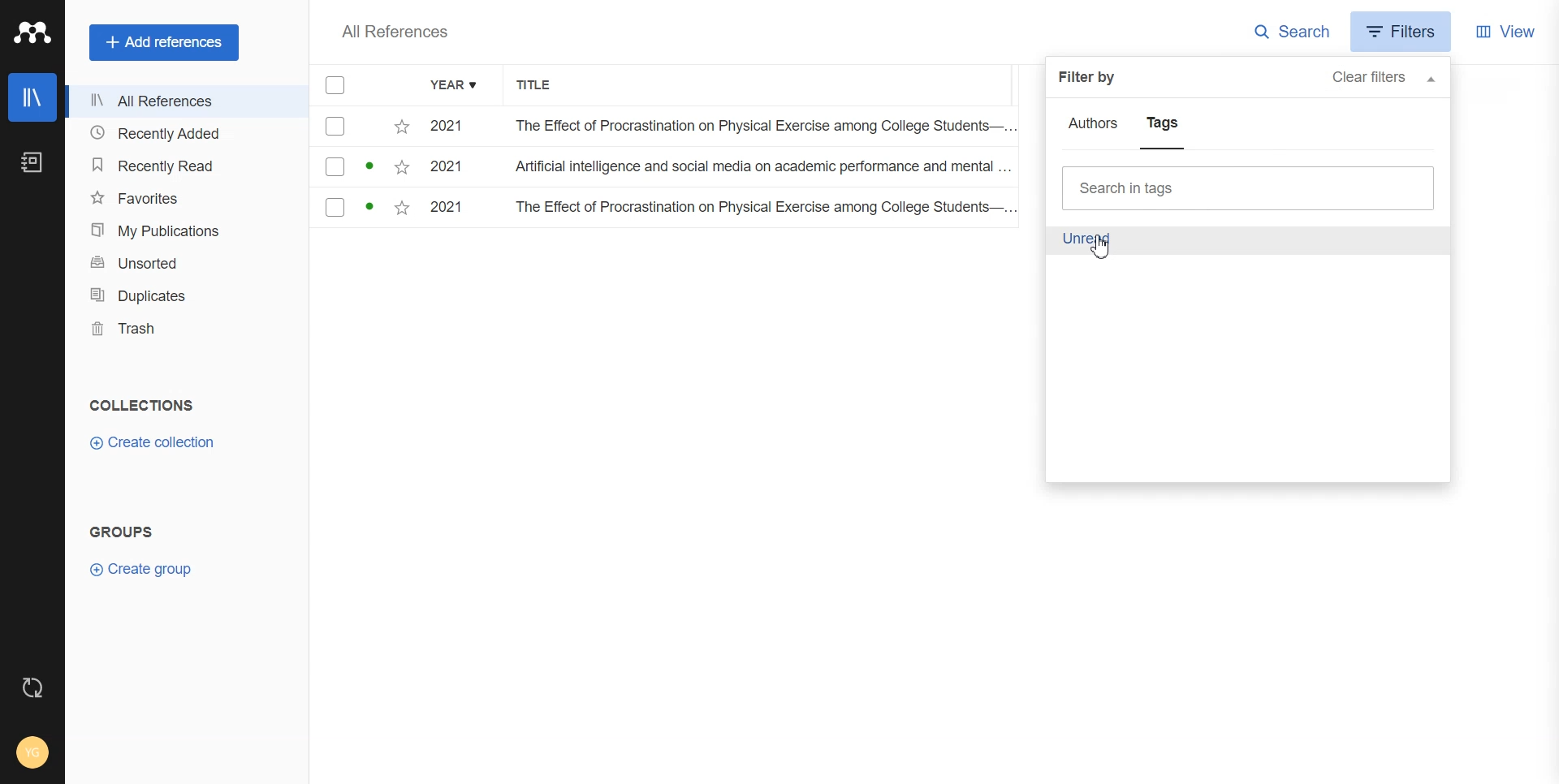 Image resolution: width=1559 pixels, height=784 pixels. Describe the element at coordinates (336, 86) in the screenshot. I see `Checkmarks` at that location.